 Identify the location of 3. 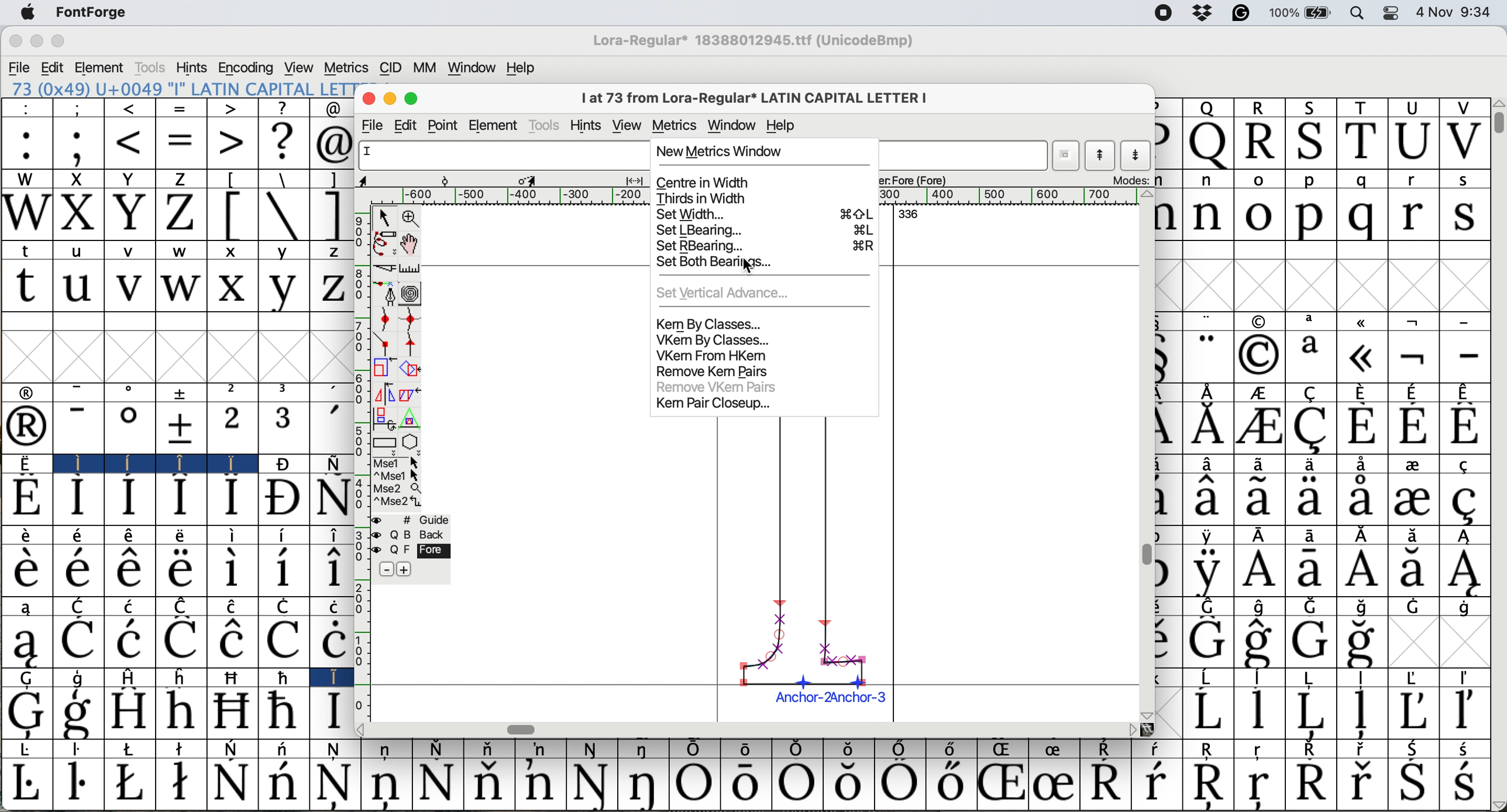
(285, 391).